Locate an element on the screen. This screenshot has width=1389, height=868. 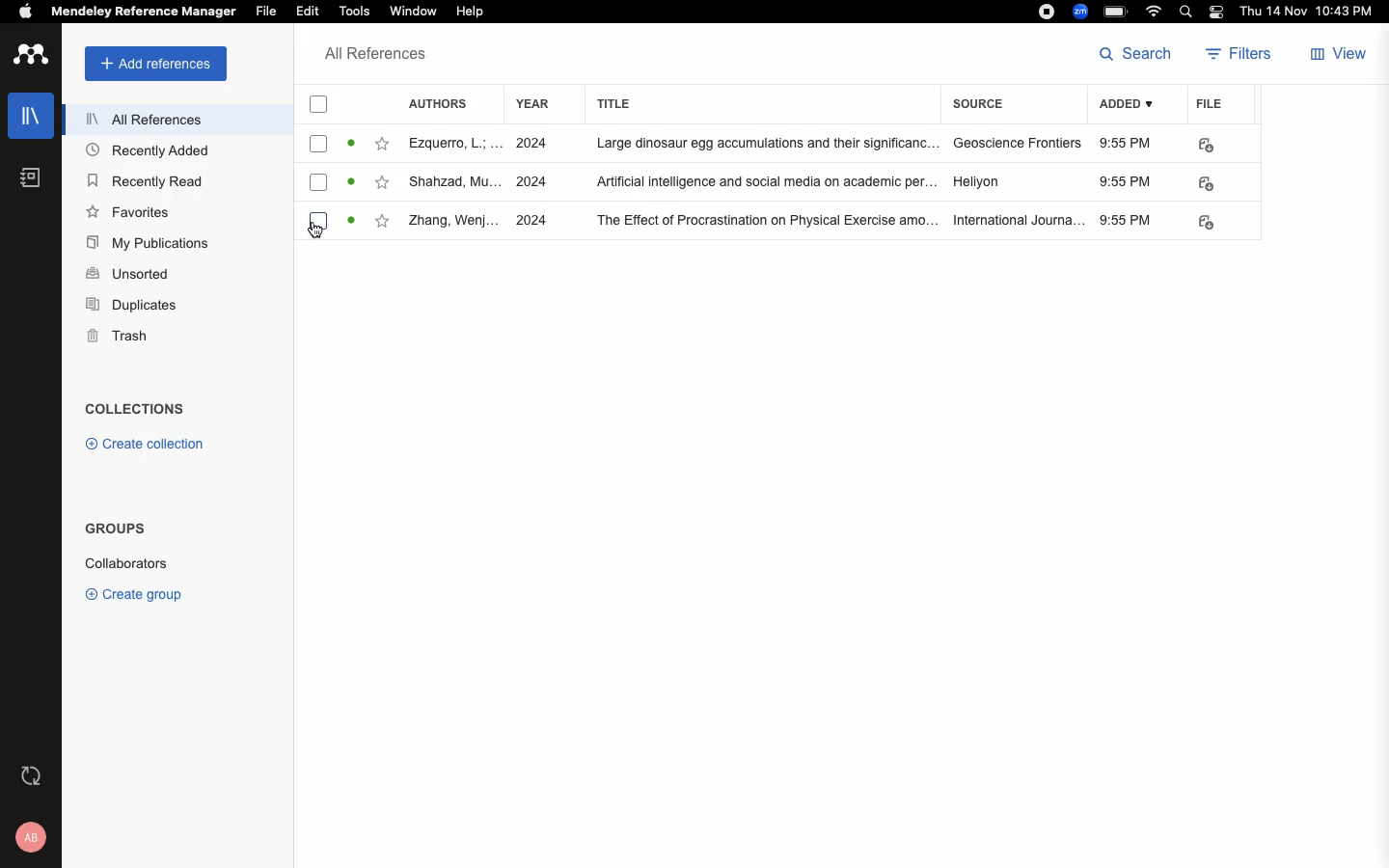
Last sync is located at coordinates (34, 775).